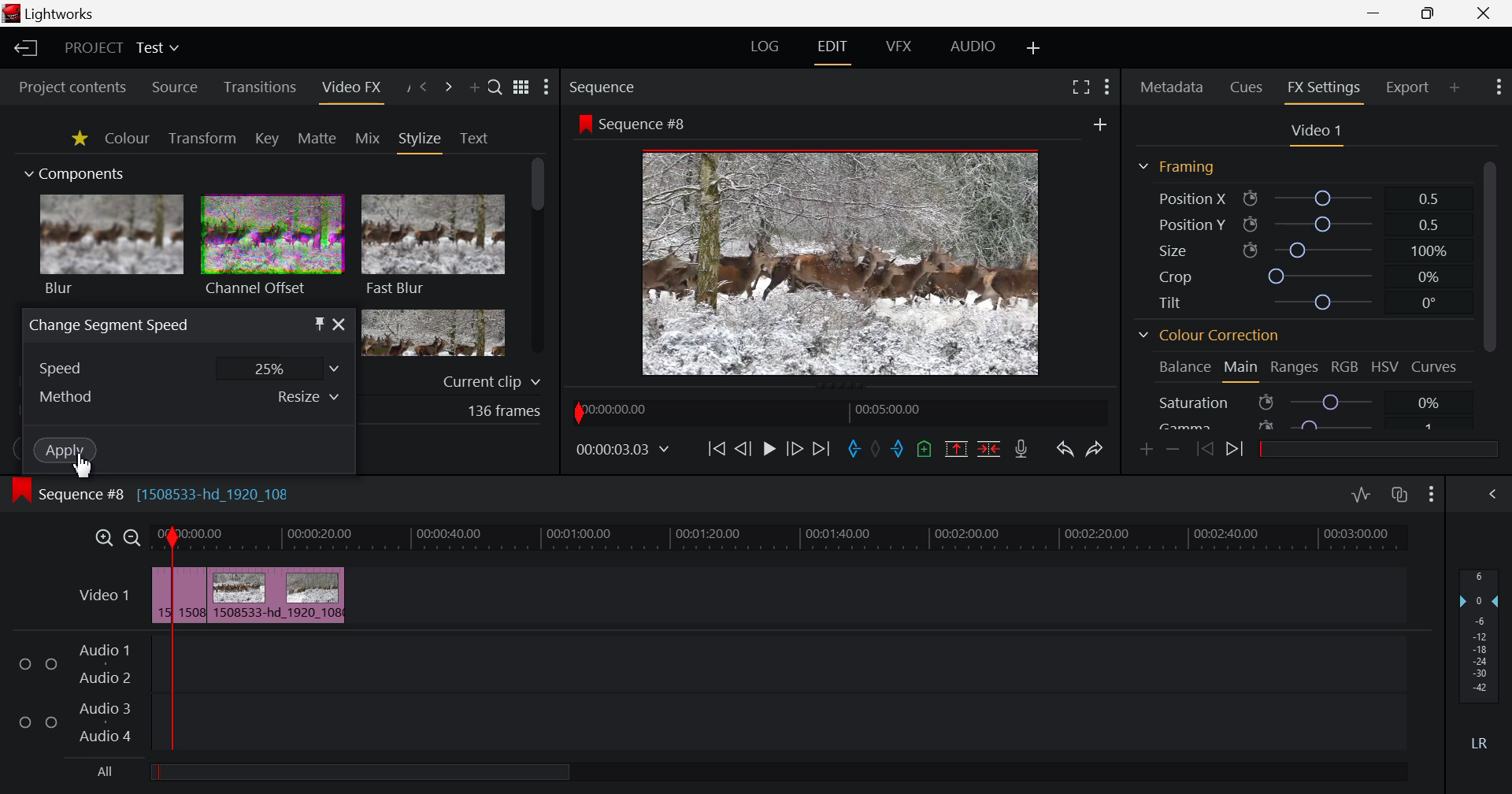 Image resolution: width=1512 pixels, height=794 pixels. I want to click on Add Layout, so click(1032, 48).